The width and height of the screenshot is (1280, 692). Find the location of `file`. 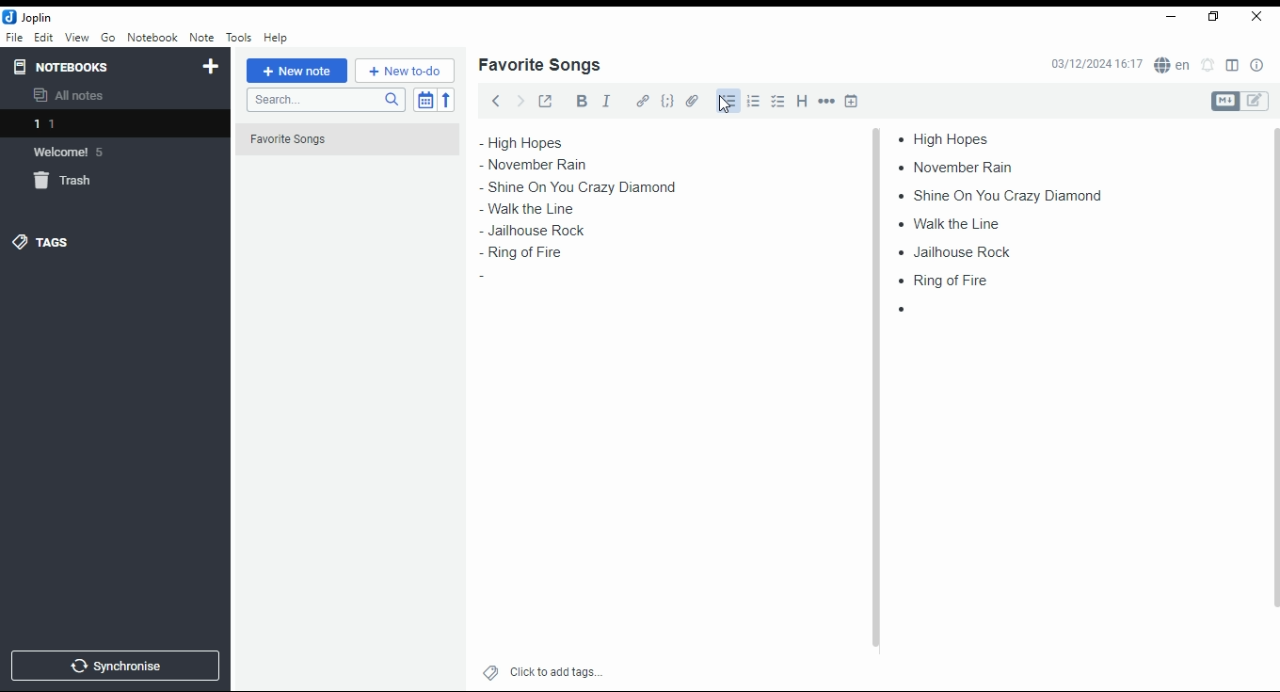

file is located at coordinates (14, 36).